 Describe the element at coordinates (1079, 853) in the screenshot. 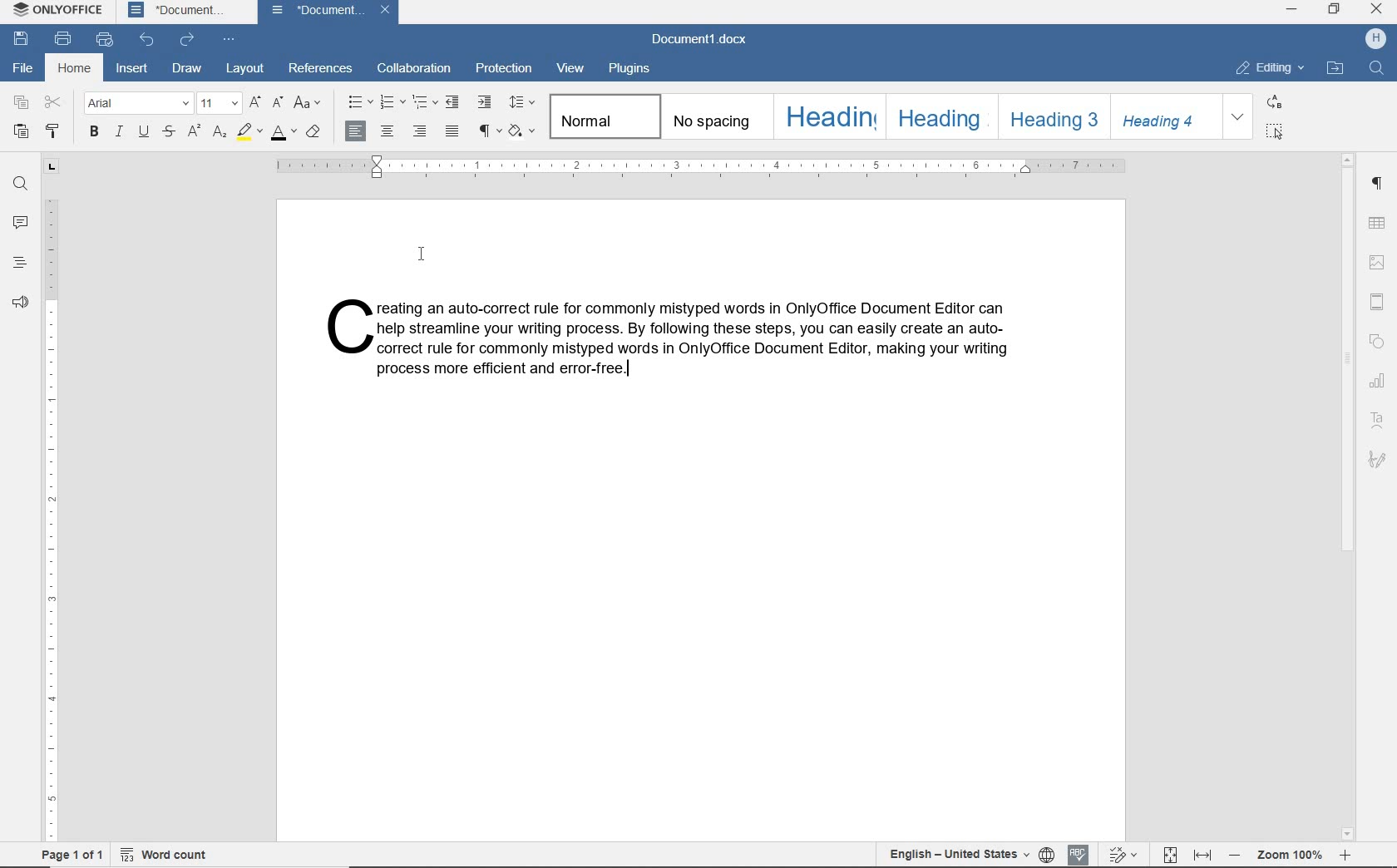

I see `SPELL CHECKING` at that location.